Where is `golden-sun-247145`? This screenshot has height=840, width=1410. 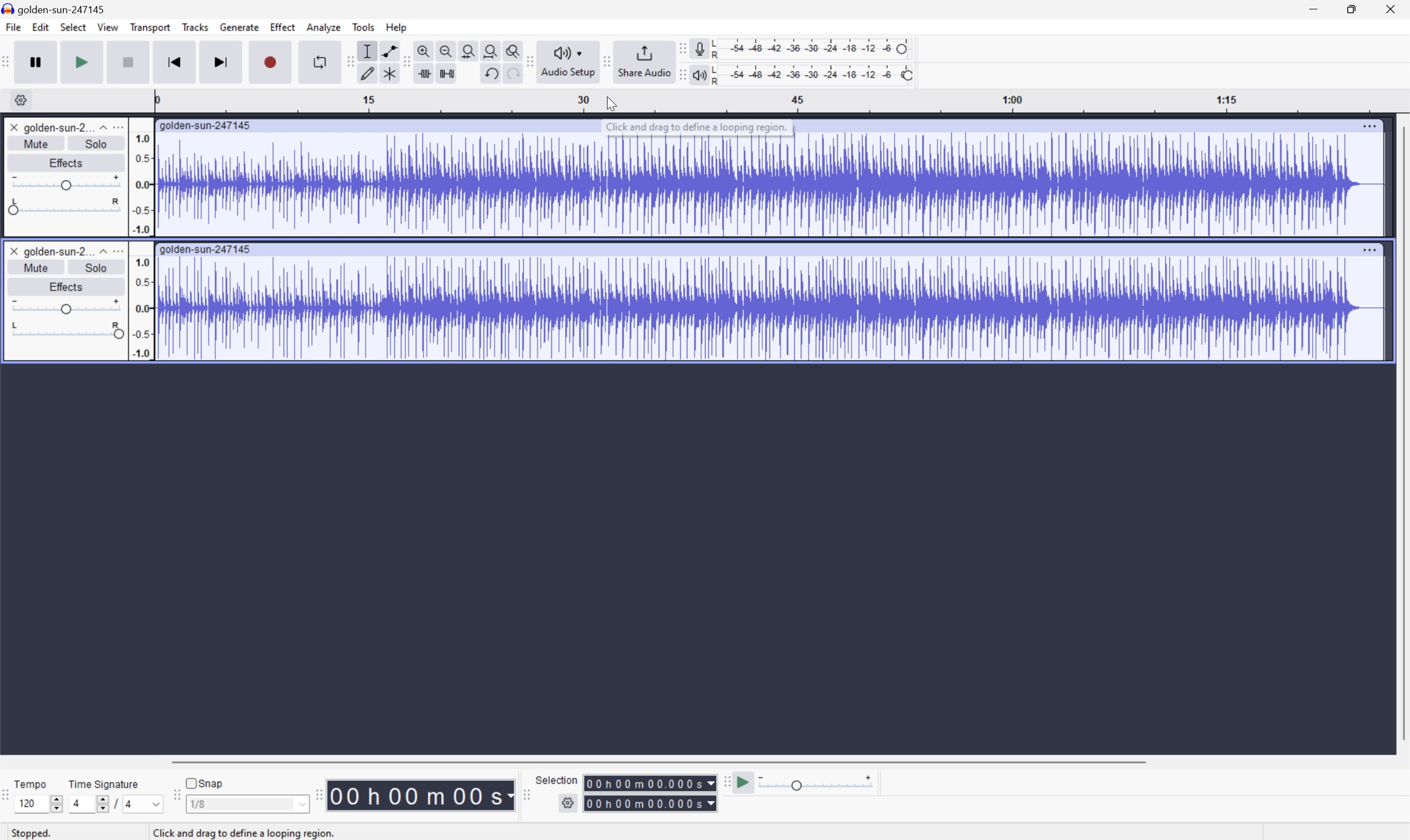 golden-sun-247145 is located at coordinates (209, 125).